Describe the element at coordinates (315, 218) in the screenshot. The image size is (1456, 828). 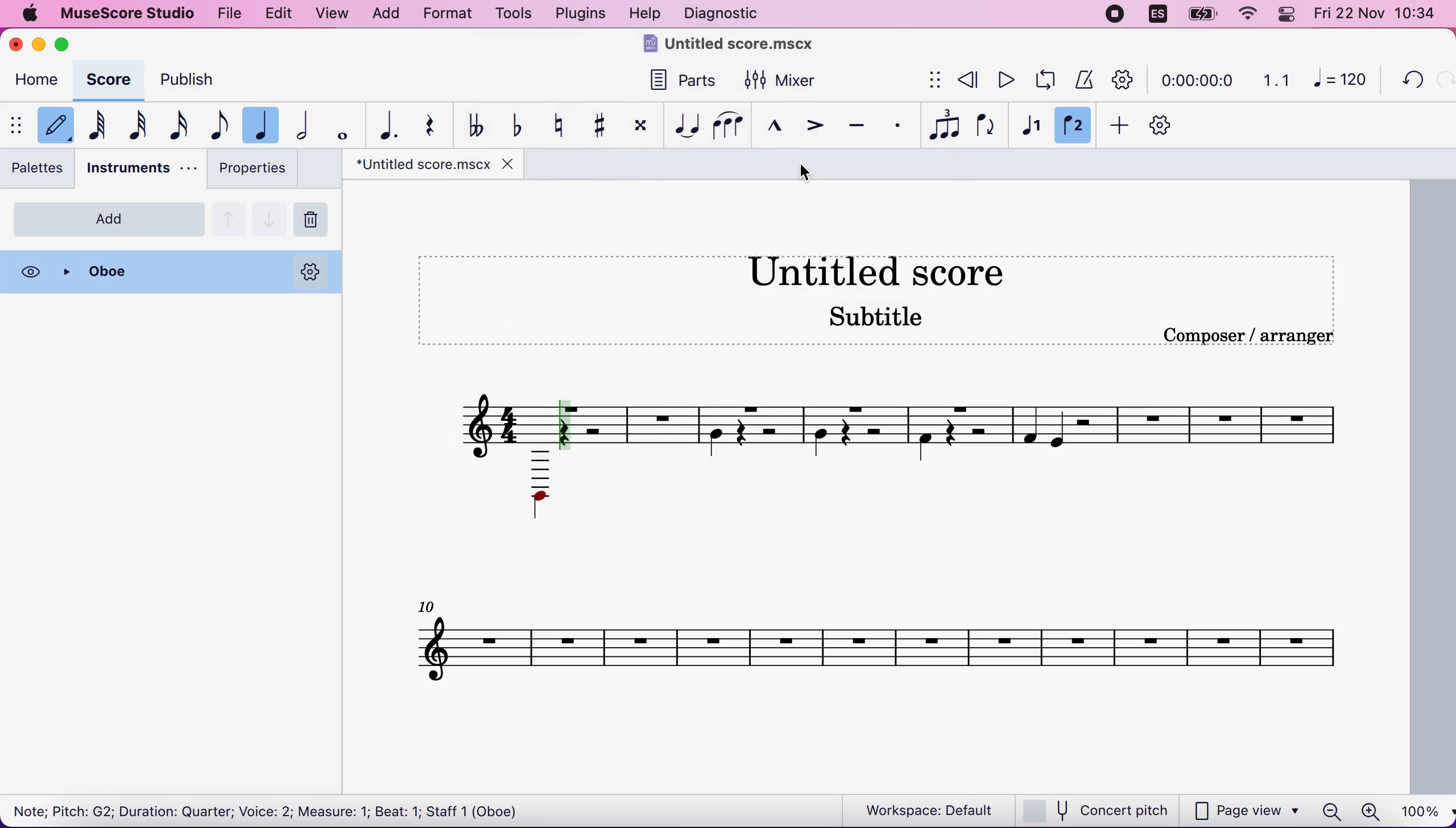
I see `remove` at that location.